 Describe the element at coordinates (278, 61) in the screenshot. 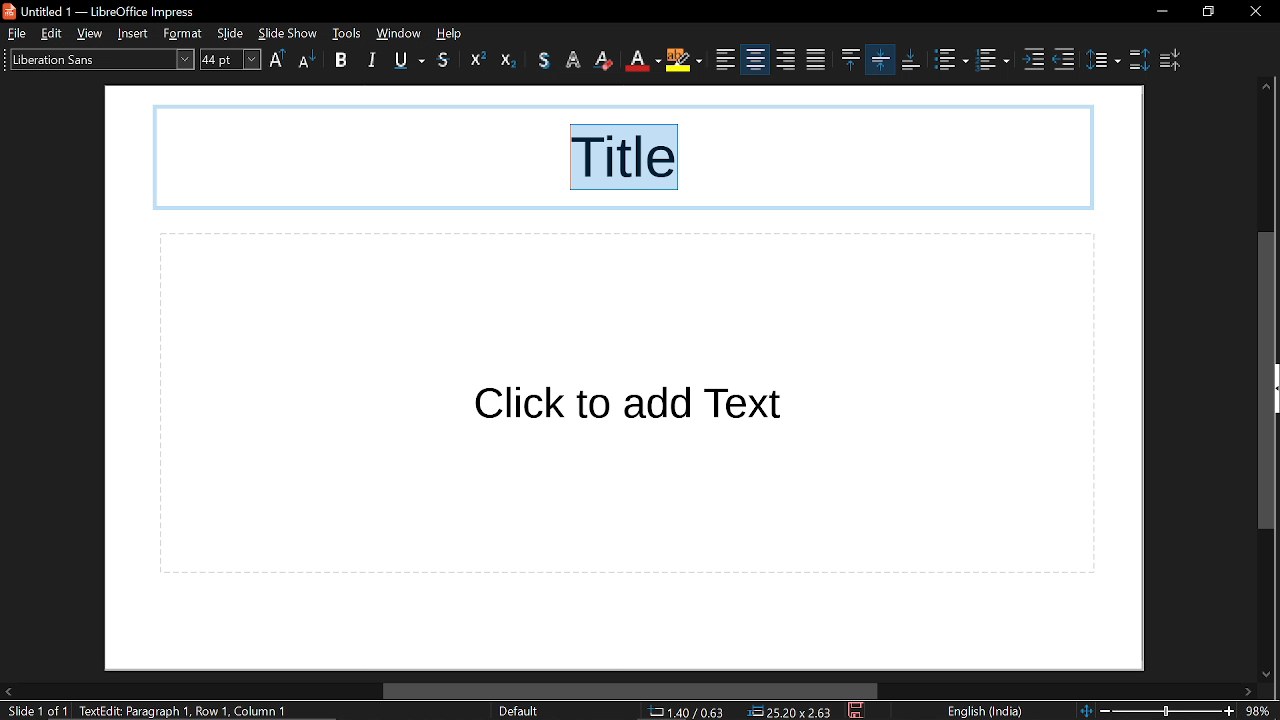

I see `uppercase` at that location.